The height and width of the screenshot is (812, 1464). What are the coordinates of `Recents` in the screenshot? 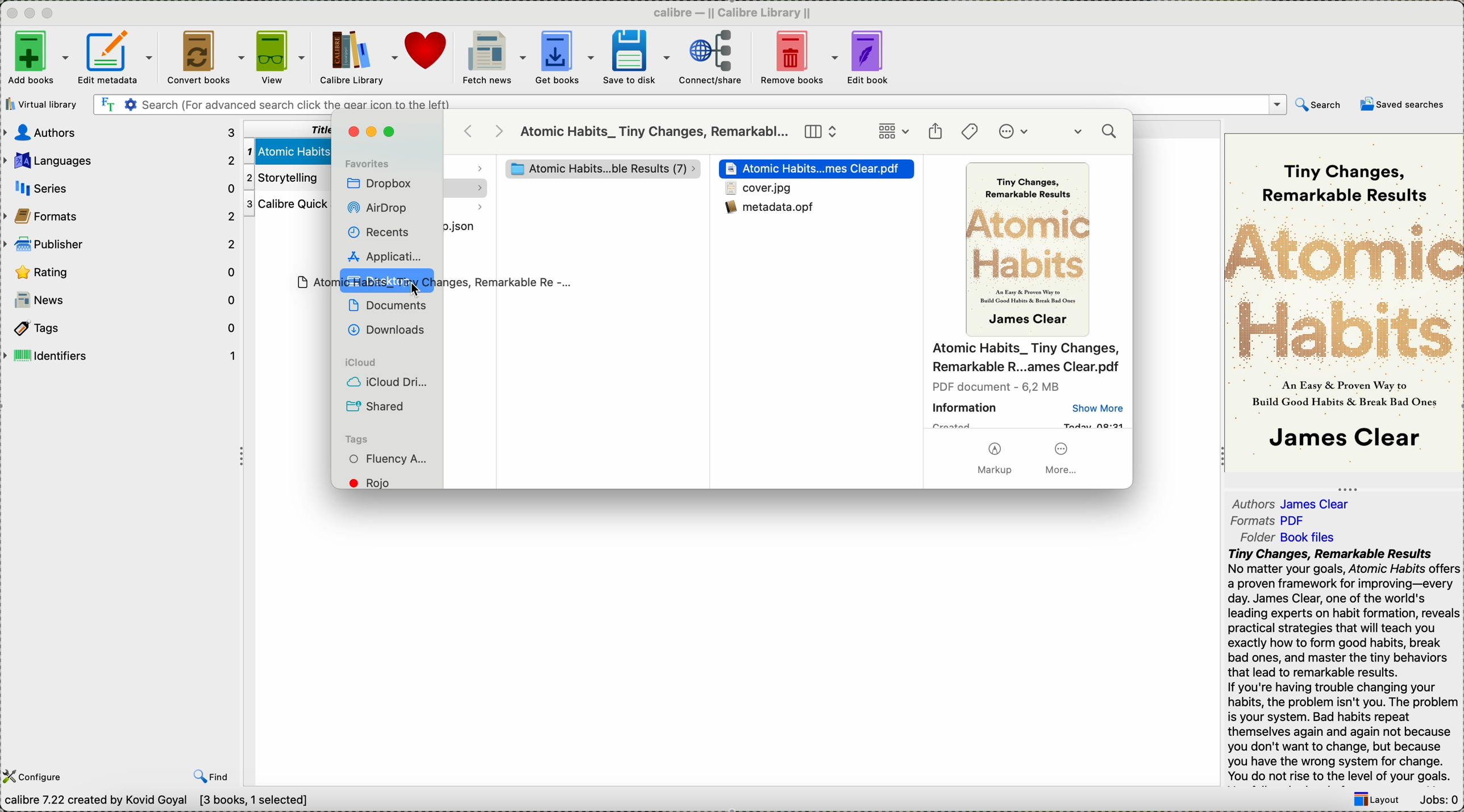 It's located at (377, 232).